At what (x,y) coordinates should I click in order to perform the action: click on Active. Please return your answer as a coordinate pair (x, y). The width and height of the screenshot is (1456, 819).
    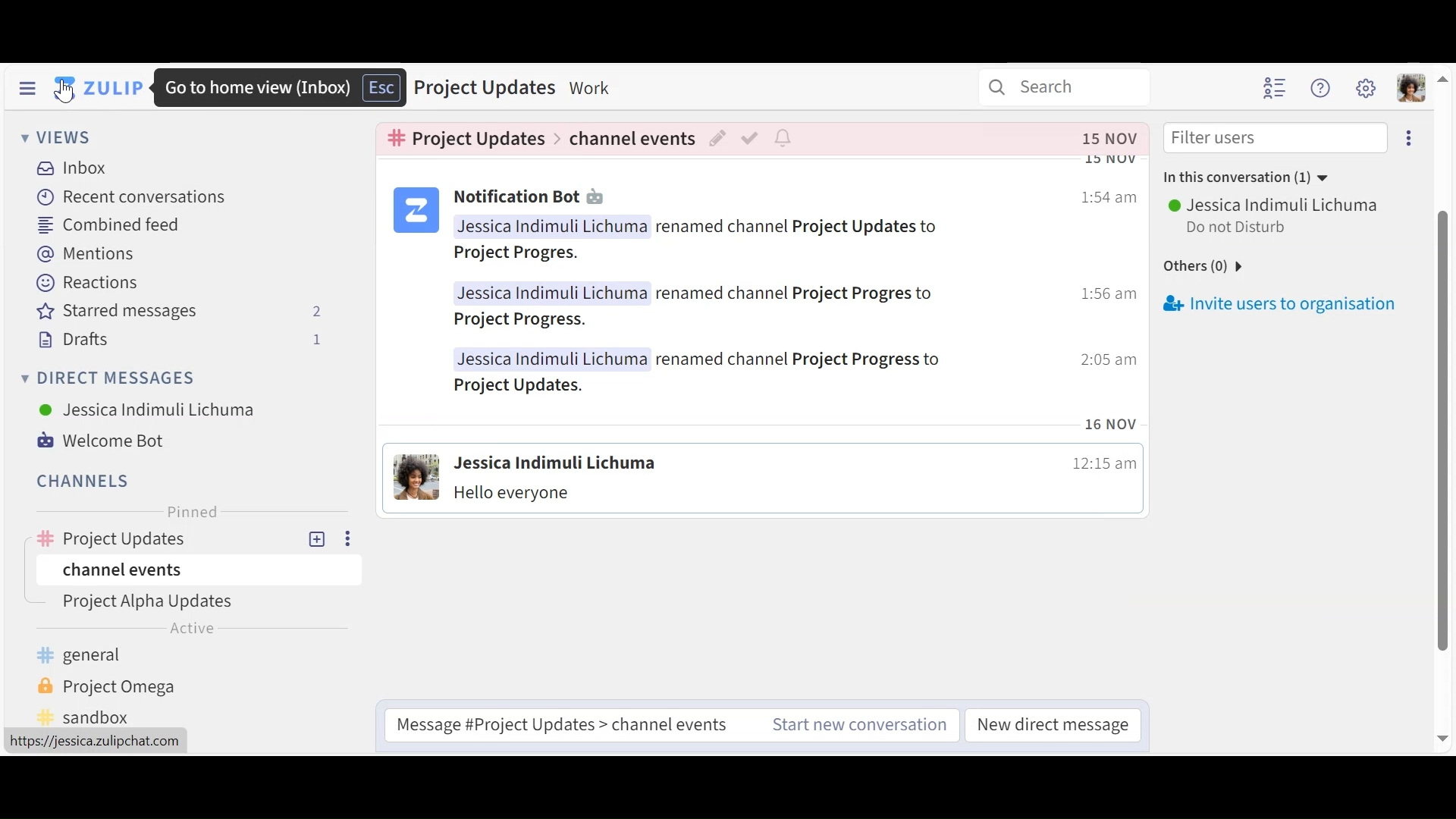
    Looking at the image, I should click on (188, 630).